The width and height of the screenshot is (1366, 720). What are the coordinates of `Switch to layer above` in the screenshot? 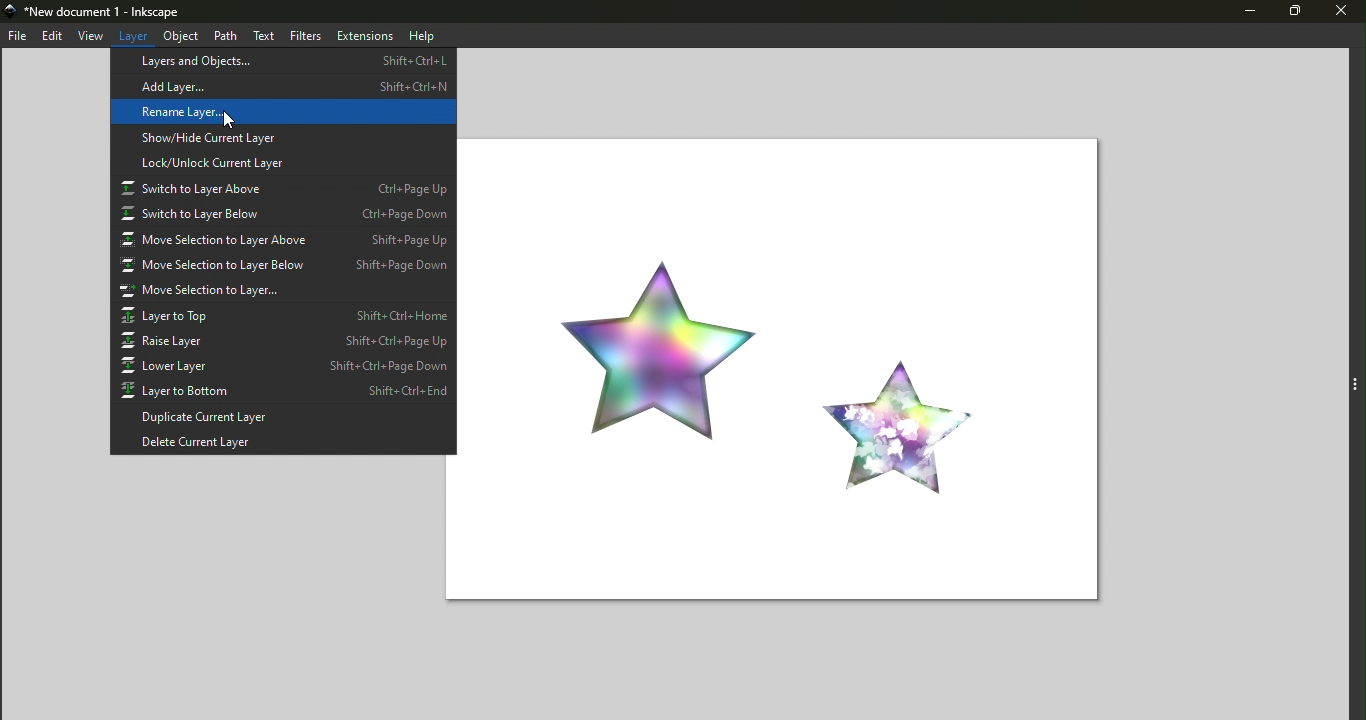 It's located at (285, 188).